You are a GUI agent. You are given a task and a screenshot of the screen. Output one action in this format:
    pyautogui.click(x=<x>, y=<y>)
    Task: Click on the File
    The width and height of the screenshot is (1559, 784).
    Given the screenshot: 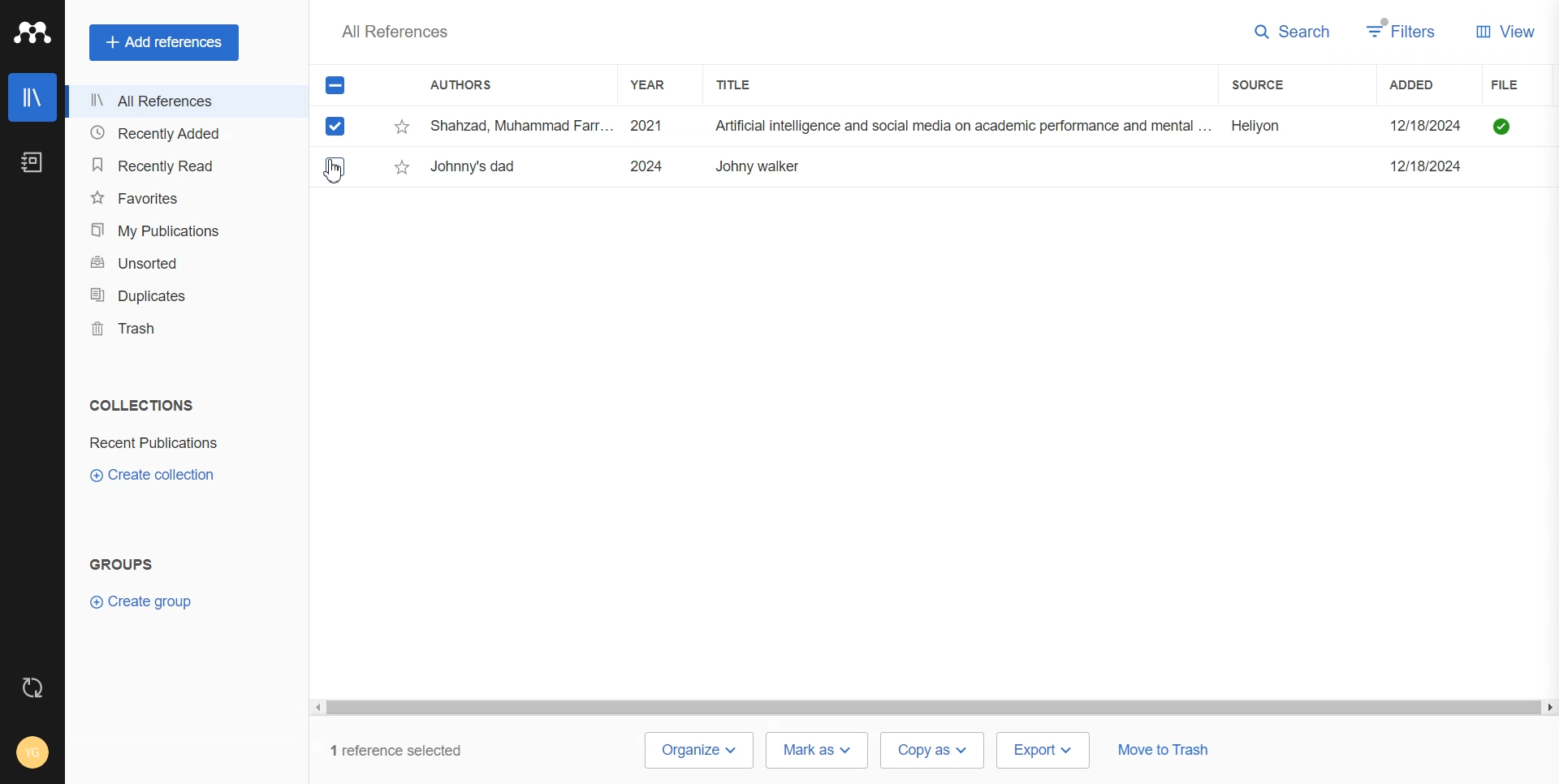 What is the action you would take?
    pyautogui.click(x=1524, y=85)
    